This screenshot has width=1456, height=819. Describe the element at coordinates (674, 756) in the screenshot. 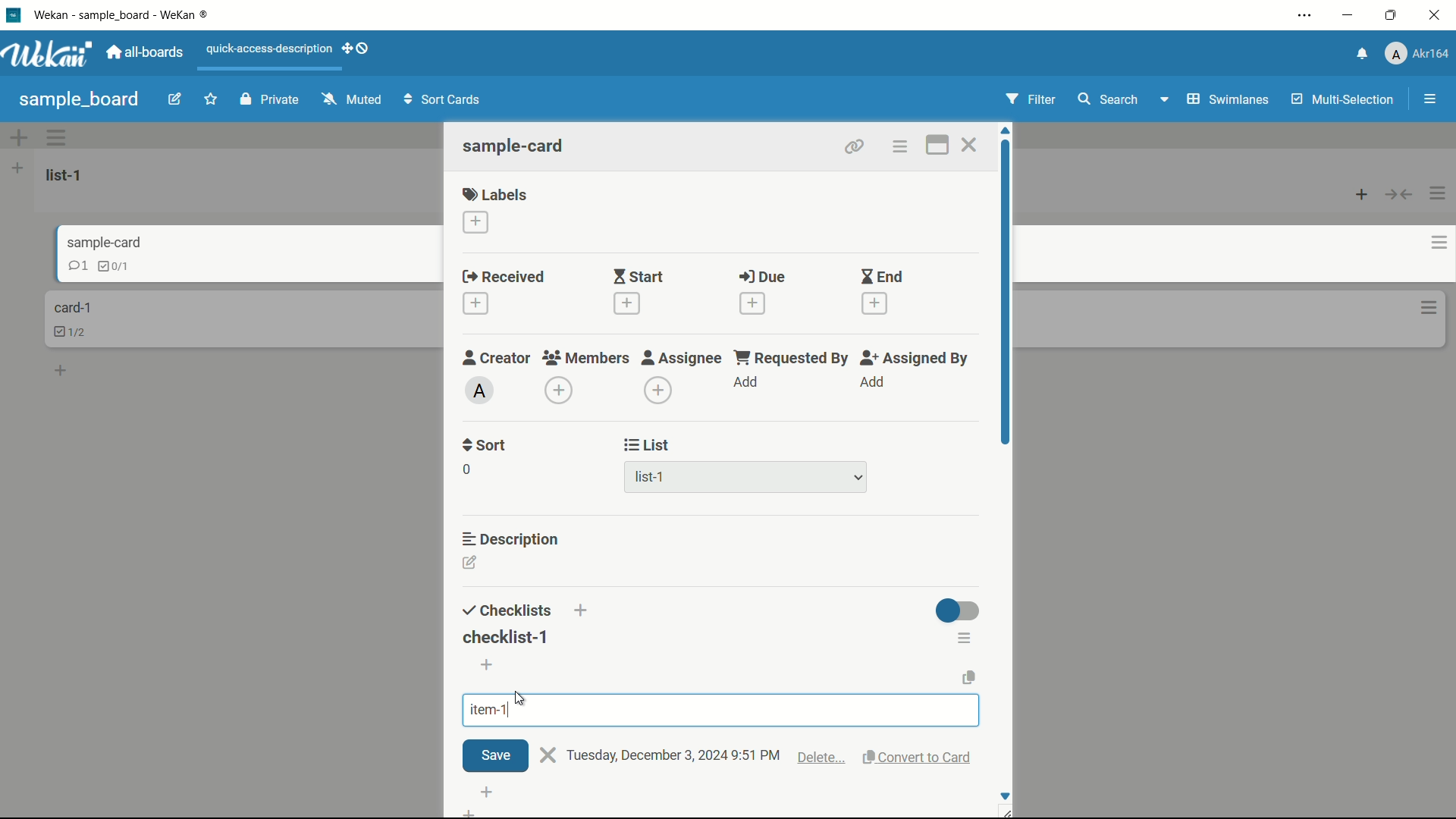

I see `text` at that location.